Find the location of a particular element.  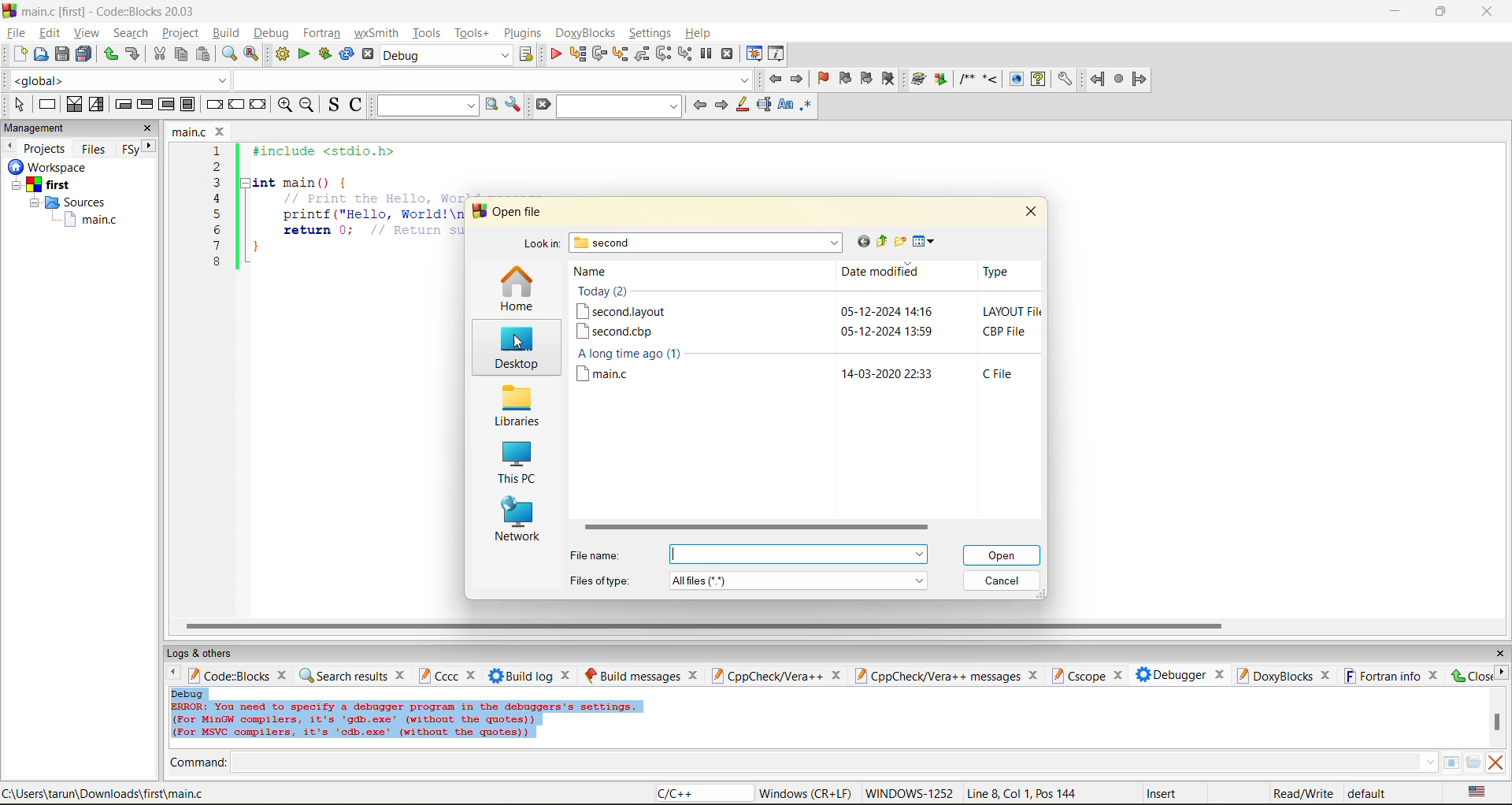

view is located at coordinates (88, 32).